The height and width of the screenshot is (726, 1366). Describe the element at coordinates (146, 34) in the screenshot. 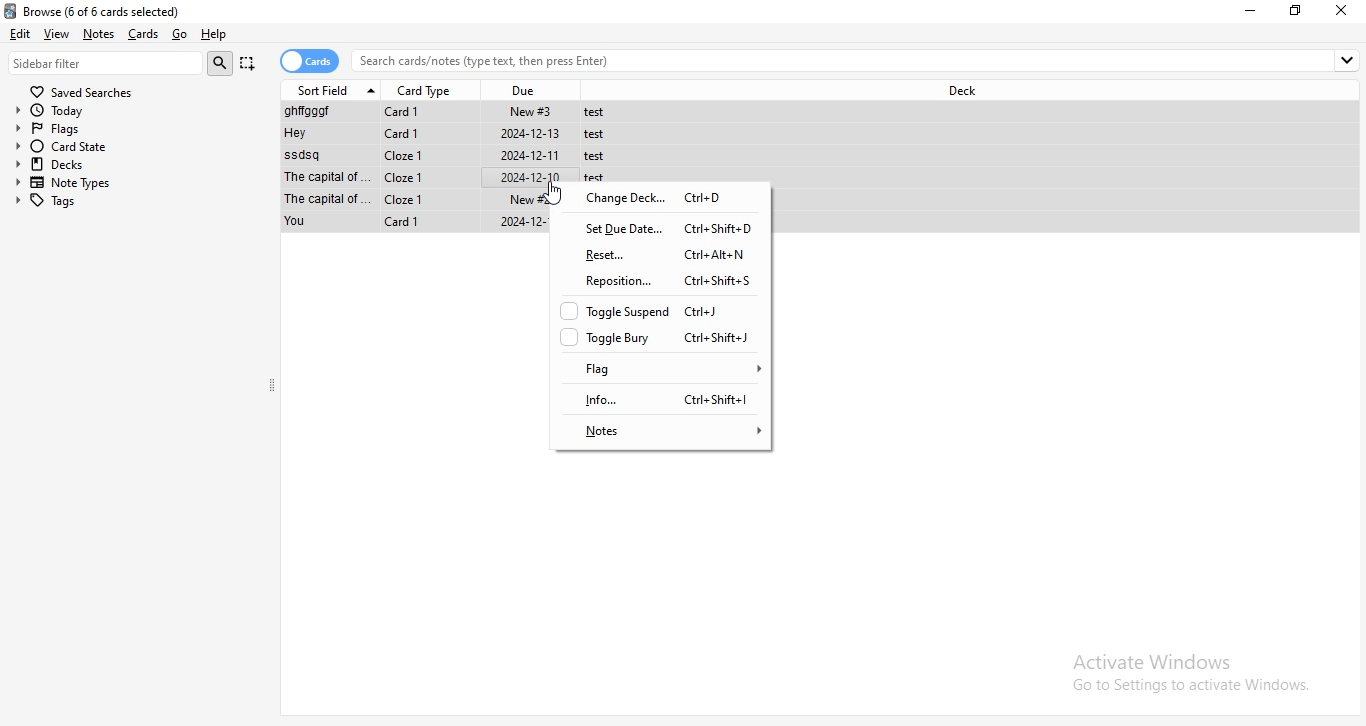

I see `Cards` at that location.